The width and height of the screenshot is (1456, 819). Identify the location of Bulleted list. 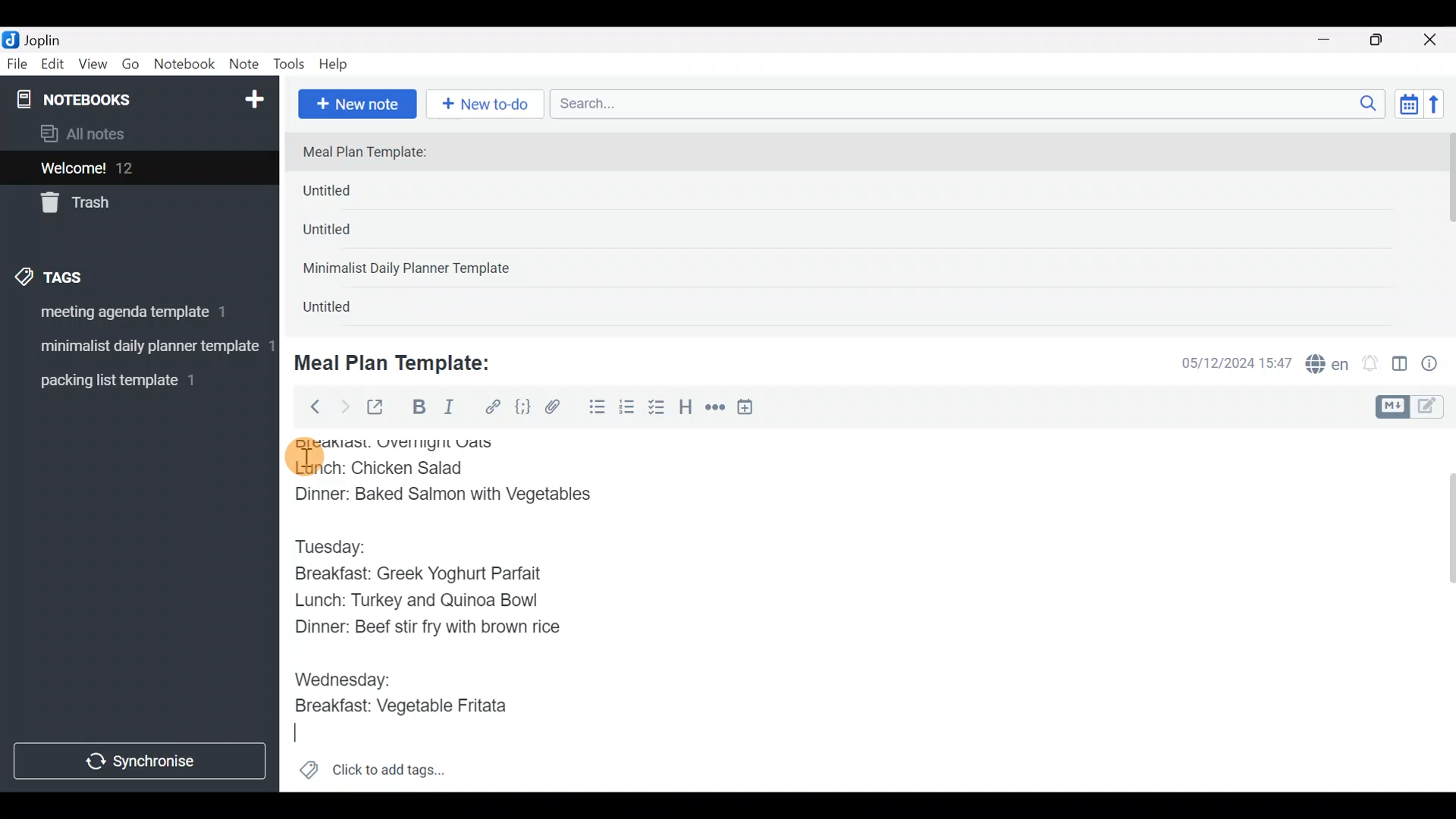
(594, 408).